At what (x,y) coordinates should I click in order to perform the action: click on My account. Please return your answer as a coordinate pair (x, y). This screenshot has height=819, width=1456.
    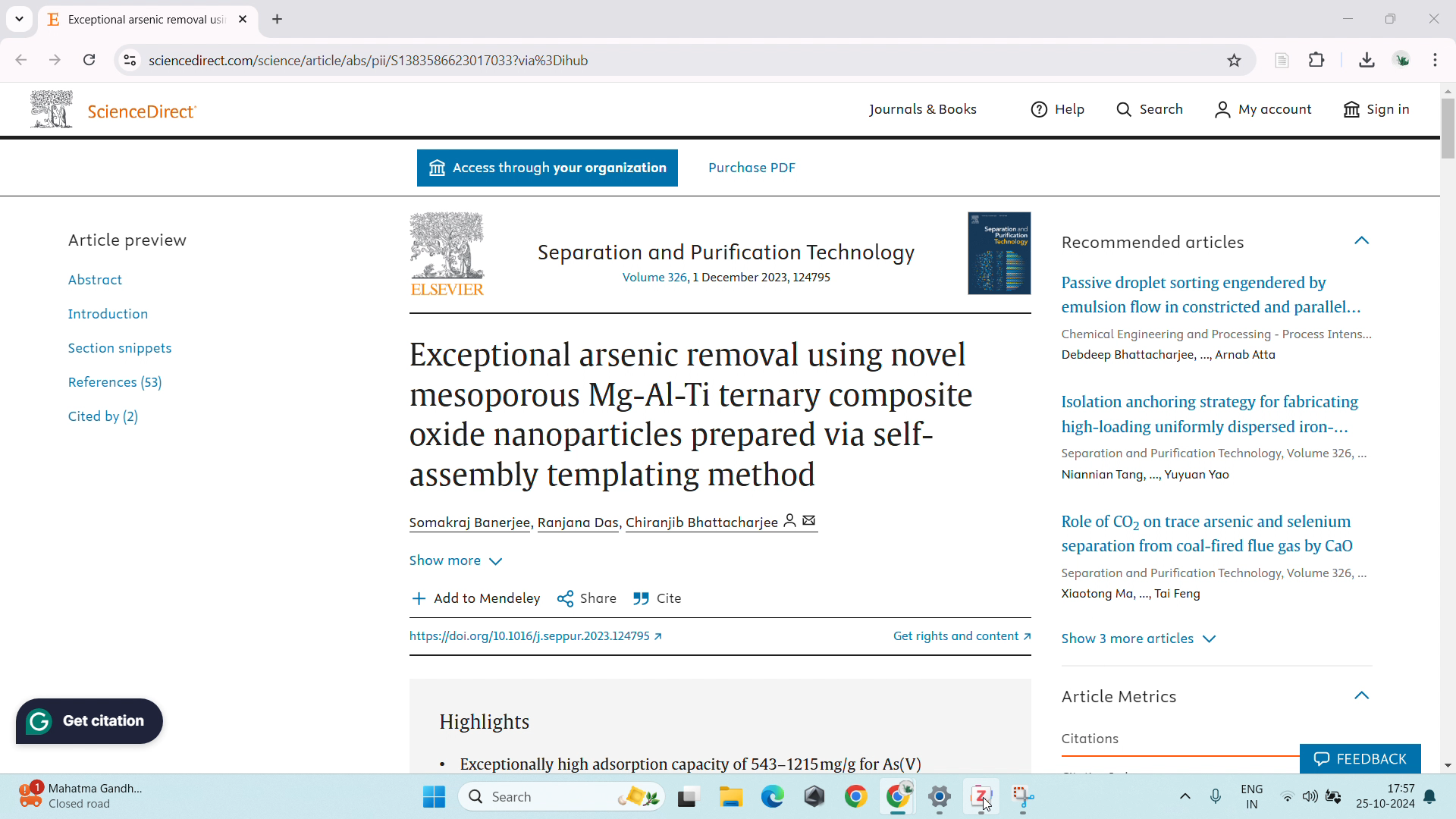
    Looking at the image, I should click on (1264, 110).